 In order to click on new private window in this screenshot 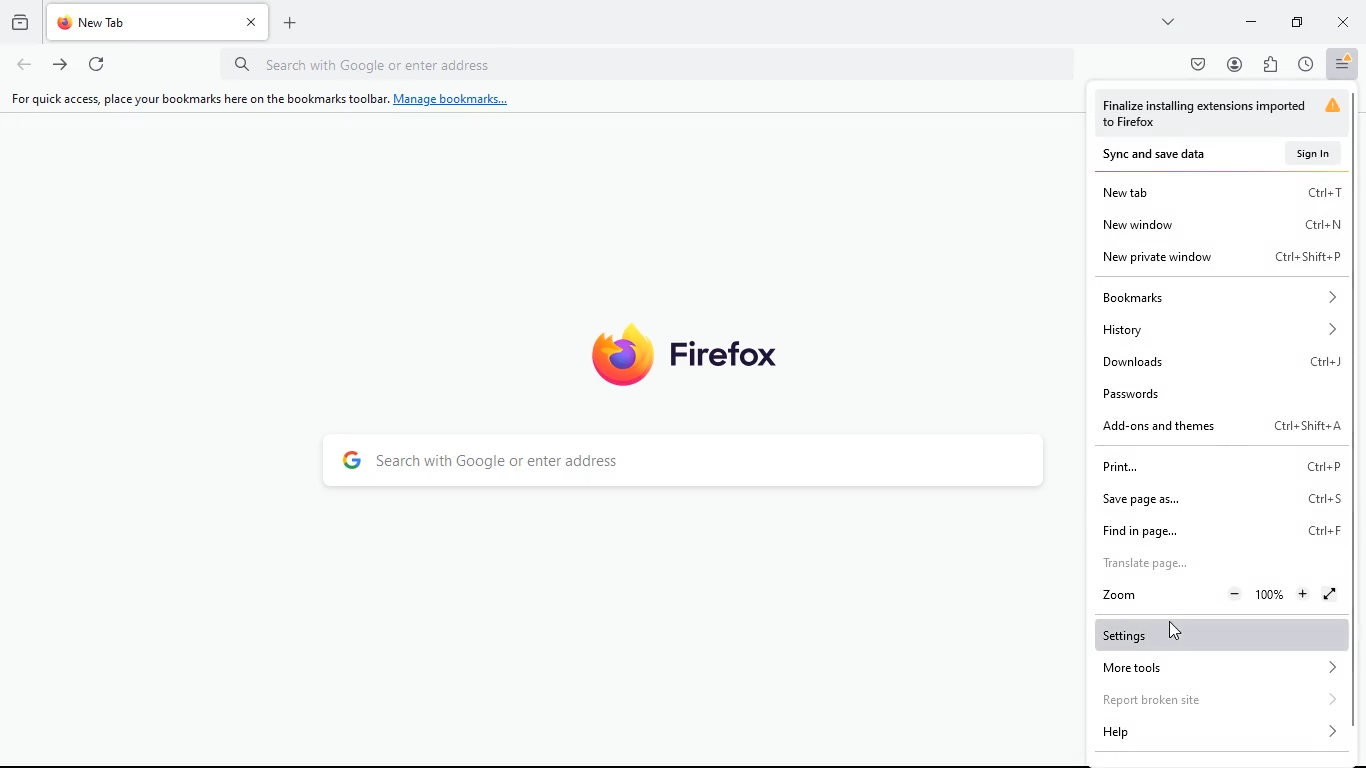, I will do `click(1221, 258)`.